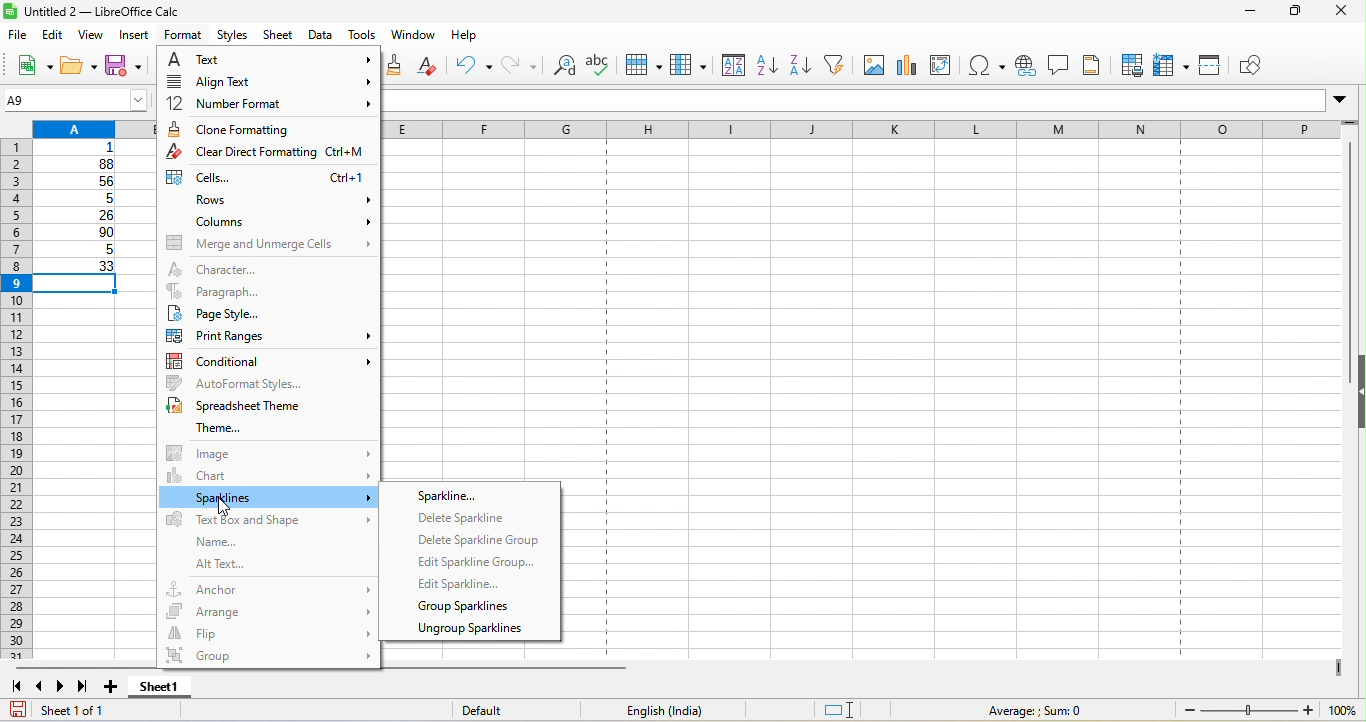 Image resolution: width=1366 pixels, height=722 pixels. I want to click on paragraph, so click(267, 291).